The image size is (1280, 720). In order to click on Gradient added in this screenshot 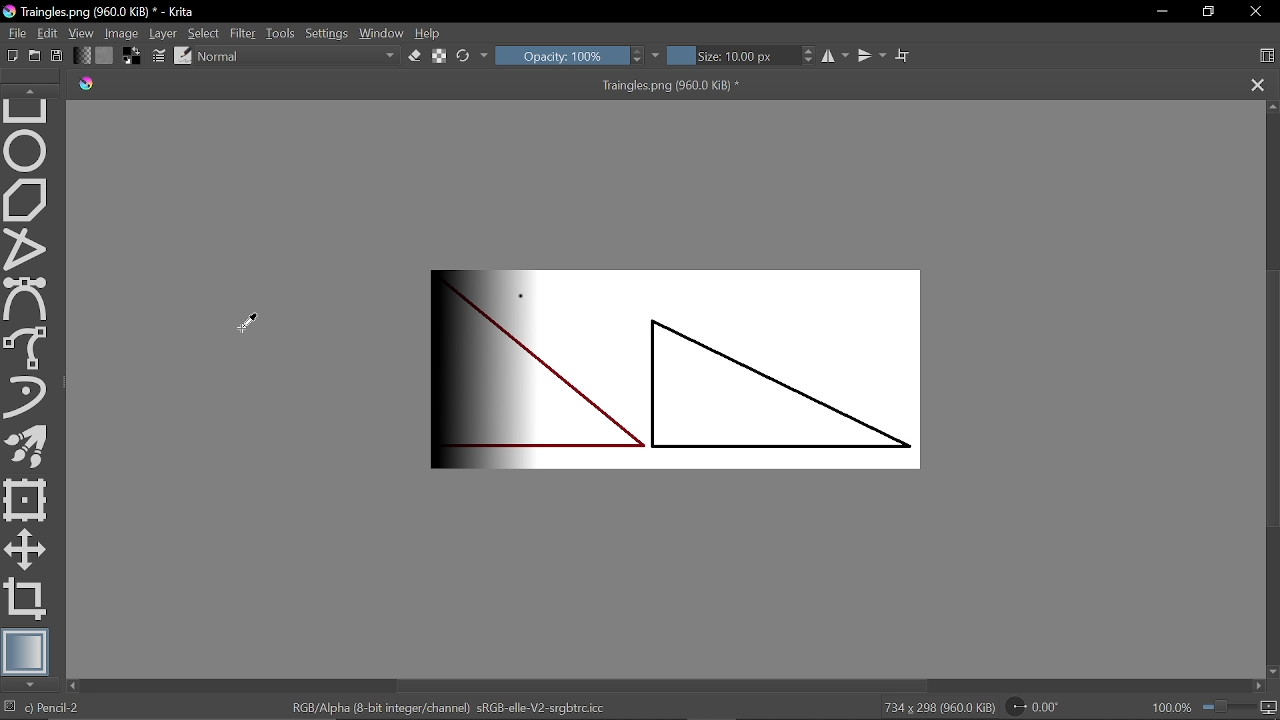, I will do `click(691, 366)`.